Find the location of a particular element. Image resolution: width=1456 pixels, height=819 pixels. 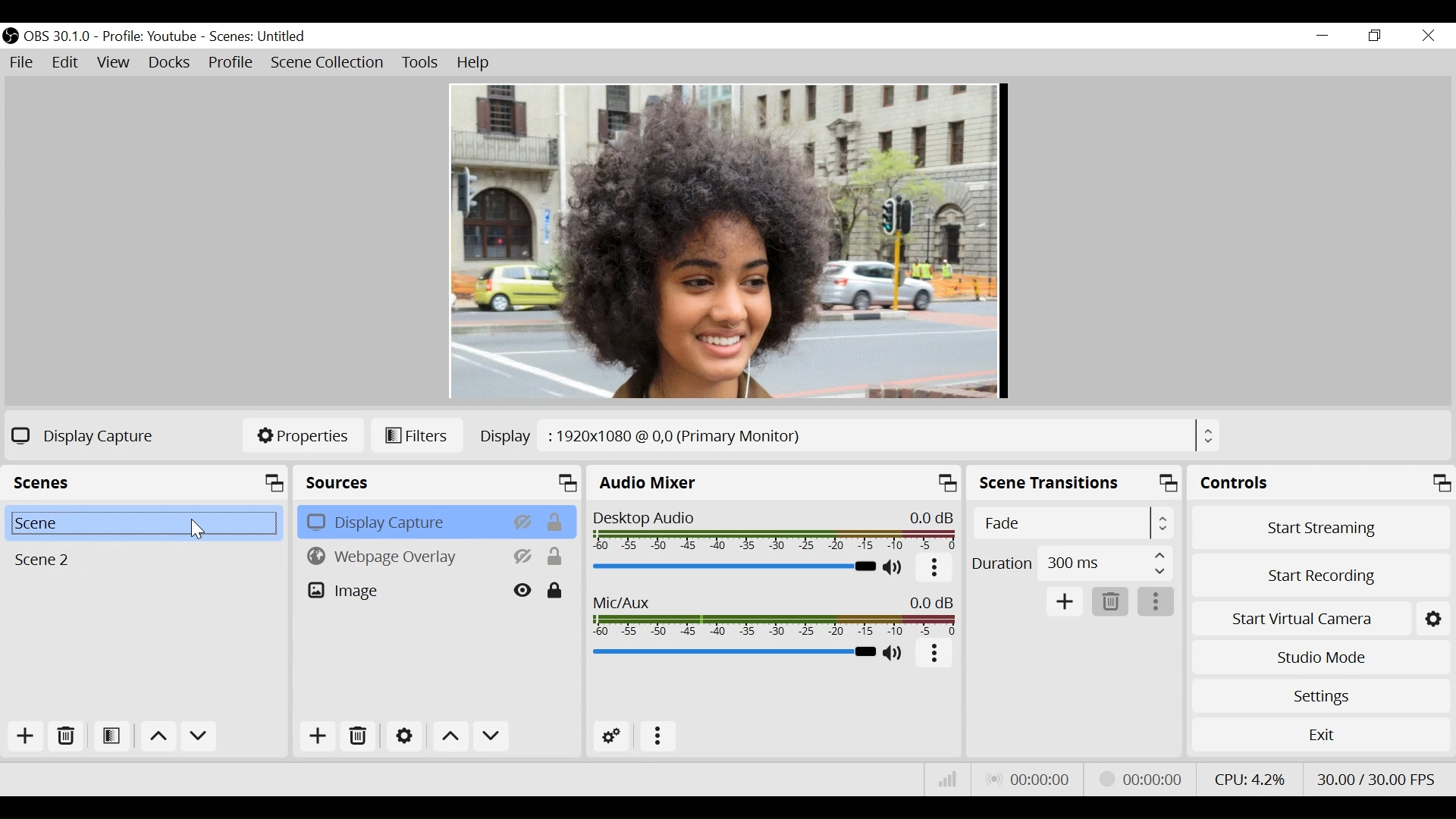

Move up is located at coordinates (450, 736).